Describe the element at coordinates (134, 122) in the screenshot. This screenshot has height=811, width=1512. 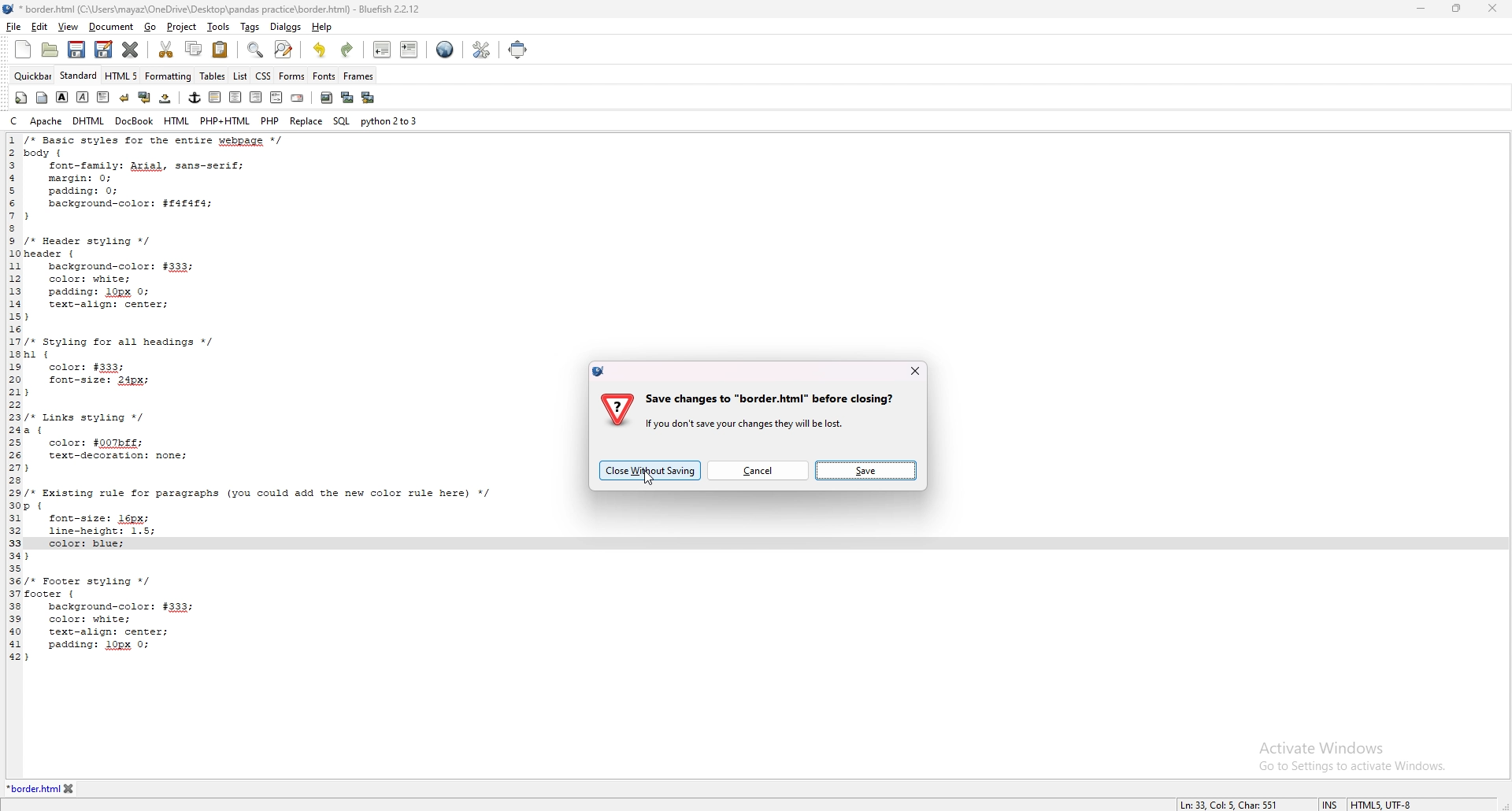
I see `docbook` at that location.